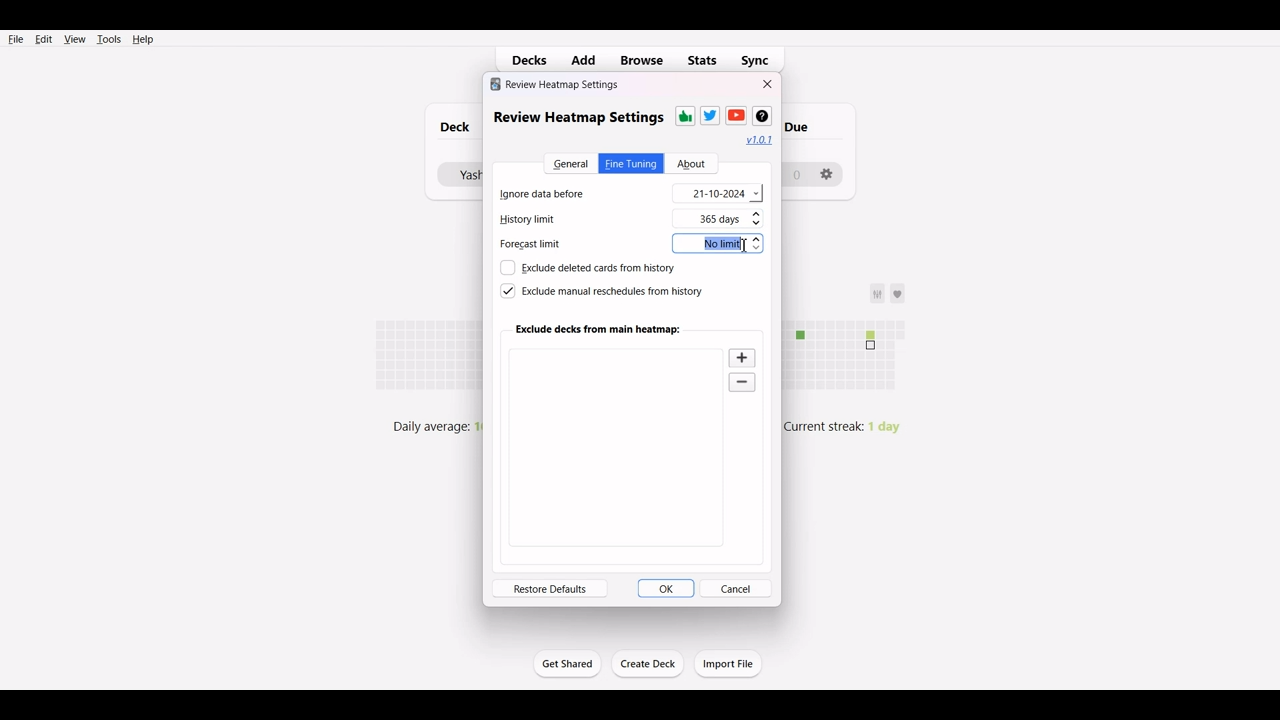 The width and height of the screenshot is (1280, 720). Describe the element at coordinates (736, 588) in the screenshot. I see `Cancel` at that location.